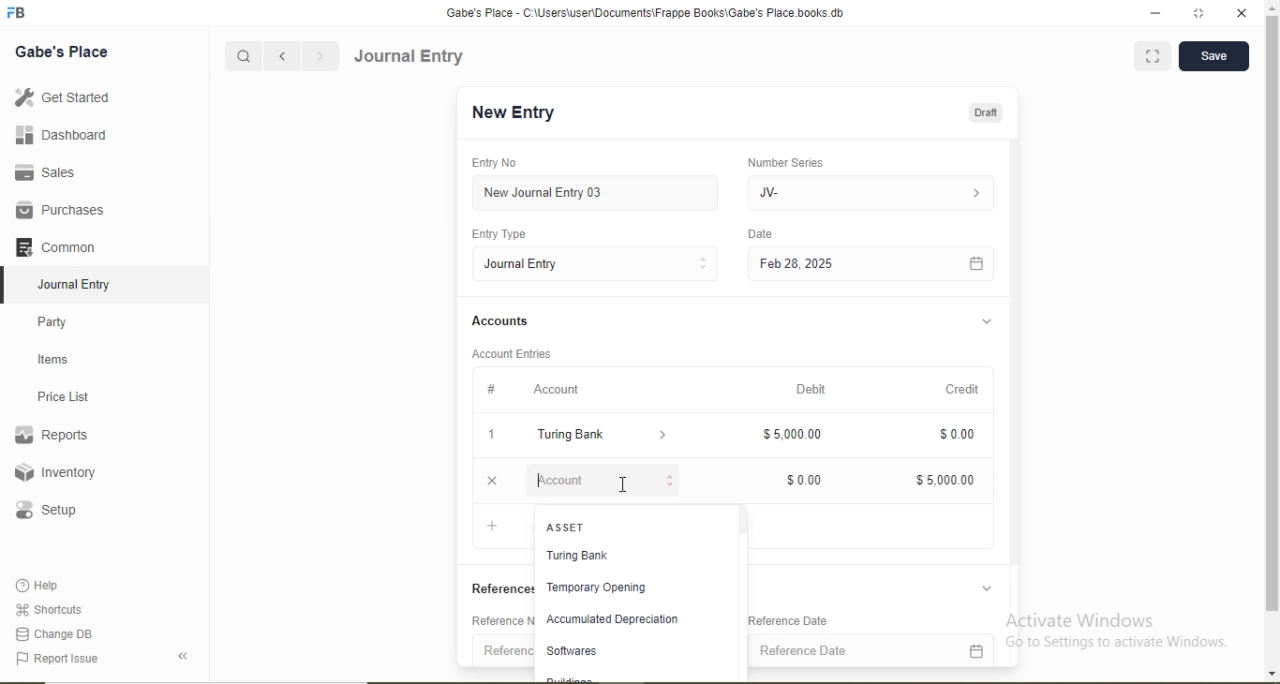  I want to click on ASSET, so click(567, 527).